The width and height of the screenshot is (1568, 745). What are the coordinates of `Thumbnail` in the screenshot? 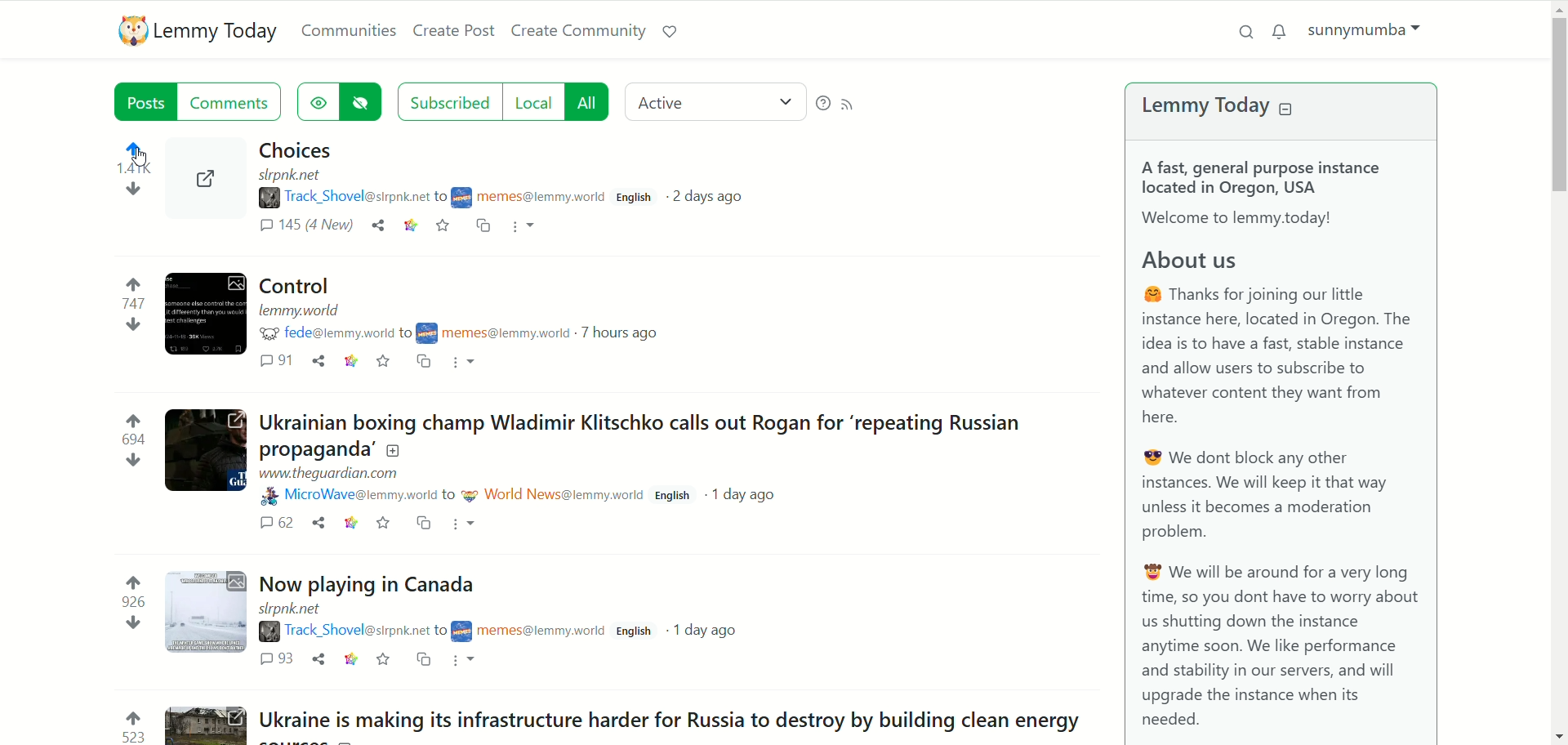 It's located at (207, 610).